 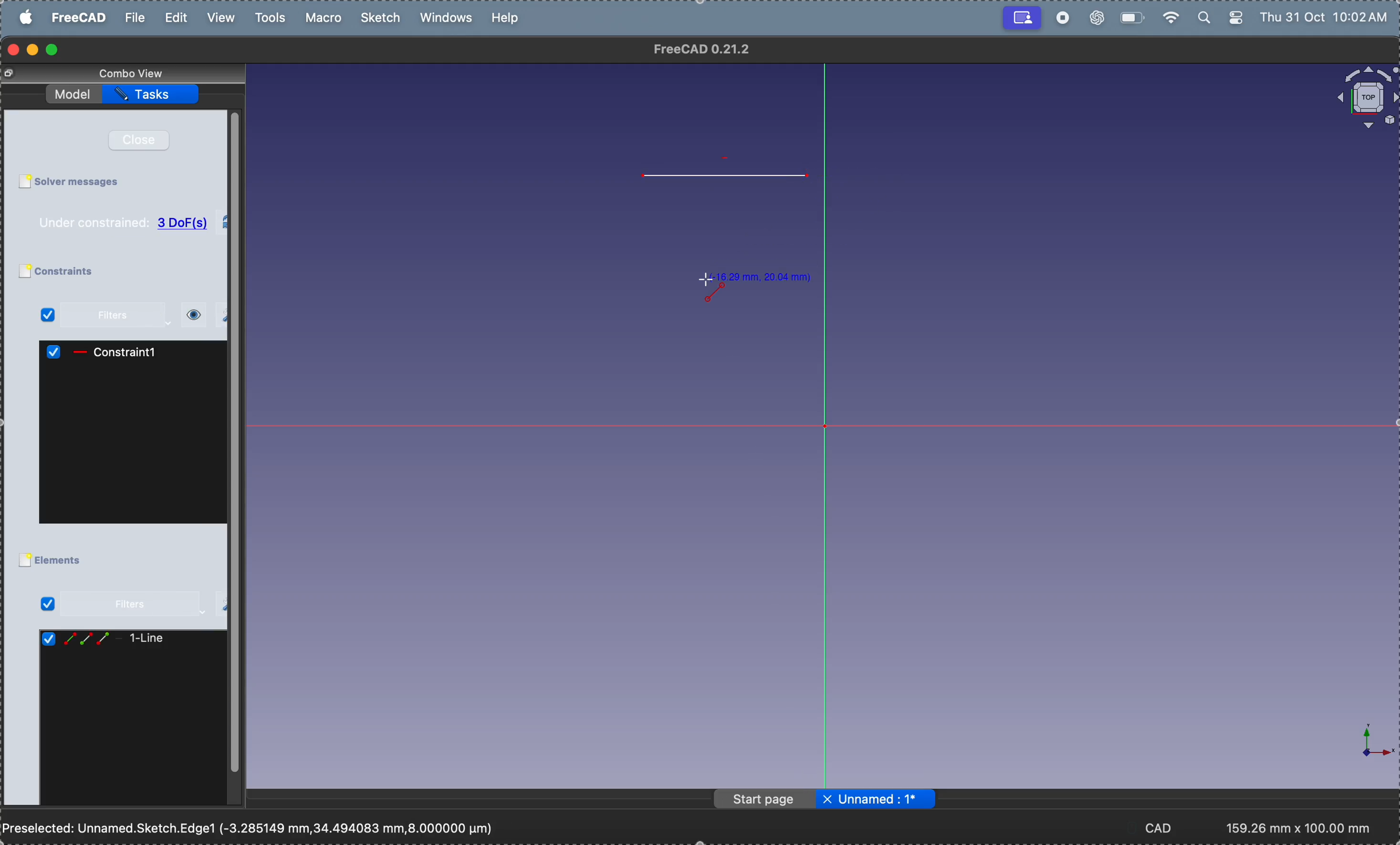 What do you see at coordinates (24, 561) in the screenshot?
I see `Checkbox` at bounding box center [24, 561].